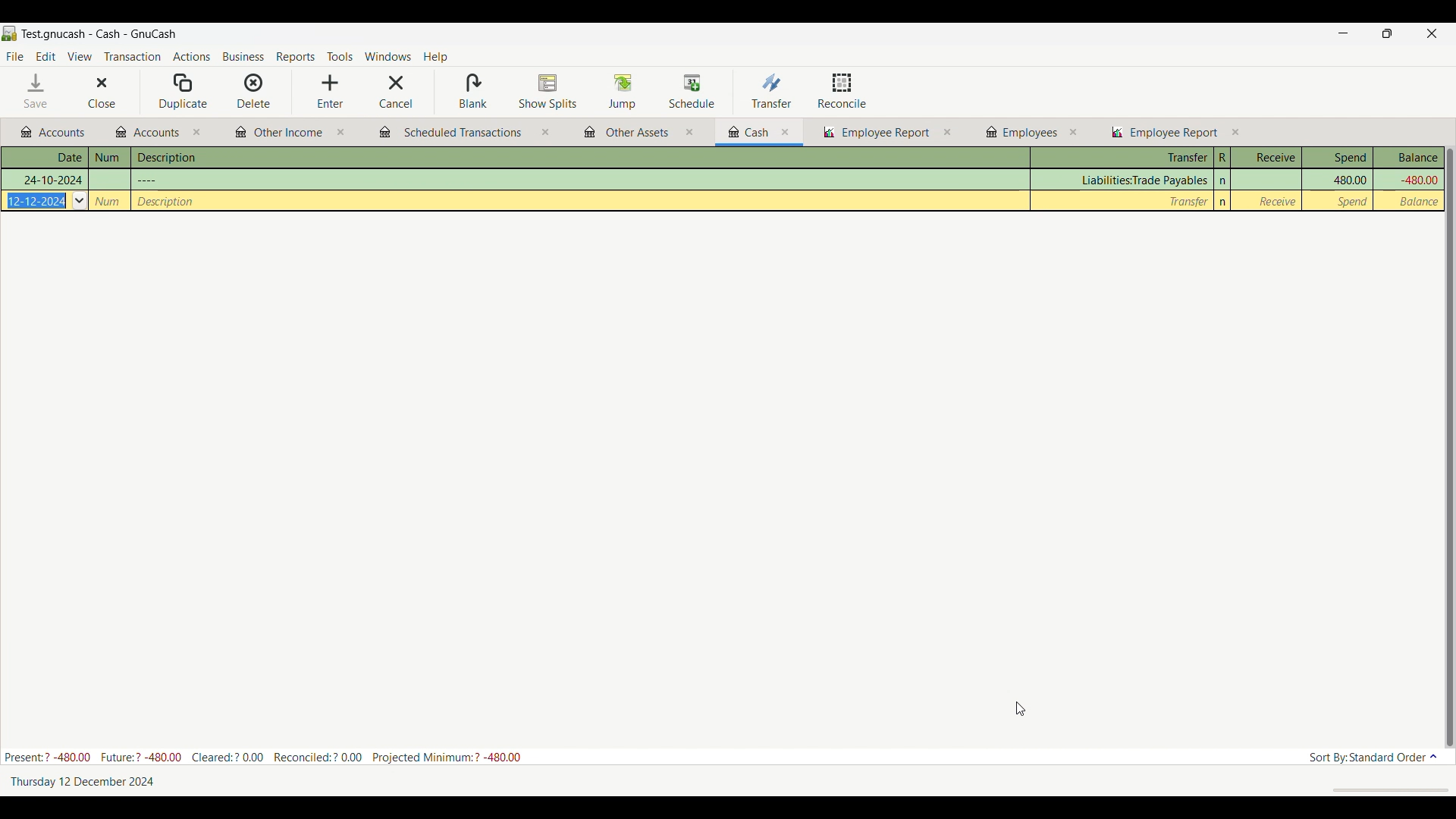  Describe the element at coordinates (36, 90) in the screenshot. I see `Save` at that location.